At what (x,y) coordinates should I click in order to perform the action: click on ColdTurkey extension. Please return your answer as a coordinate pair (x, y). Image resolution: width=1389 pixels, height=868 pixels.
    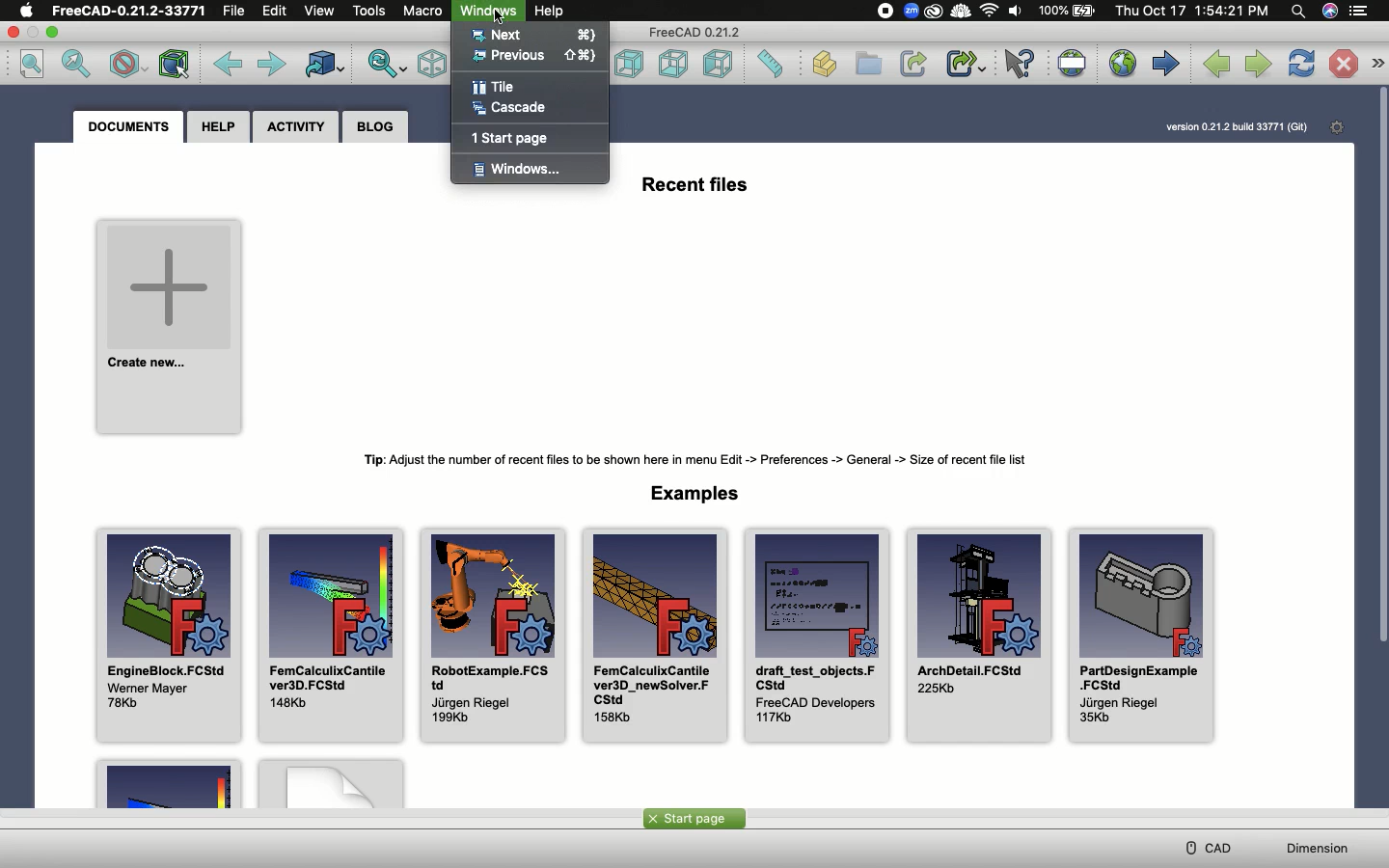
    Looking at the image, I should click on (959, 13).